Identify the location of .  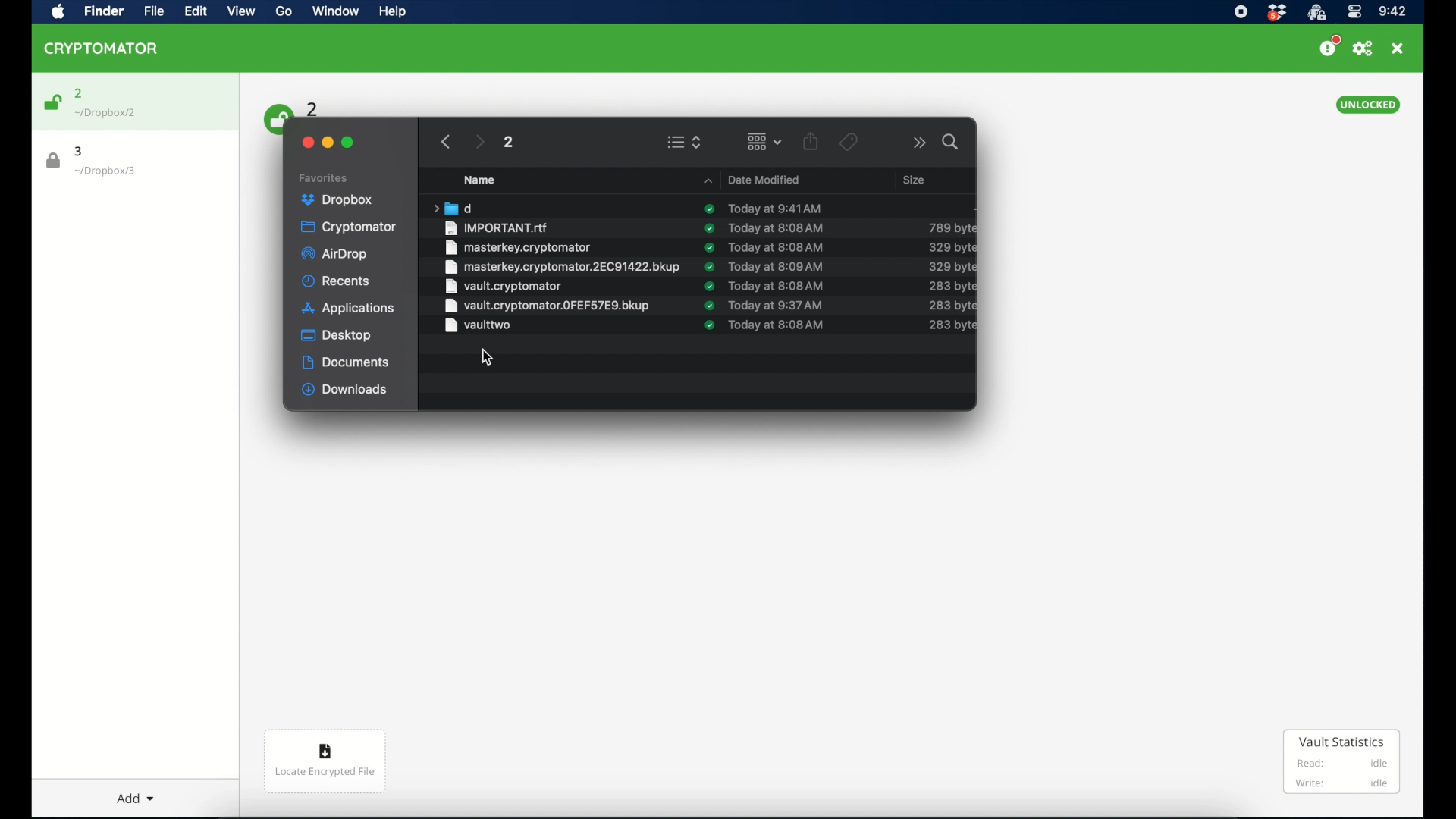
(775, 228).